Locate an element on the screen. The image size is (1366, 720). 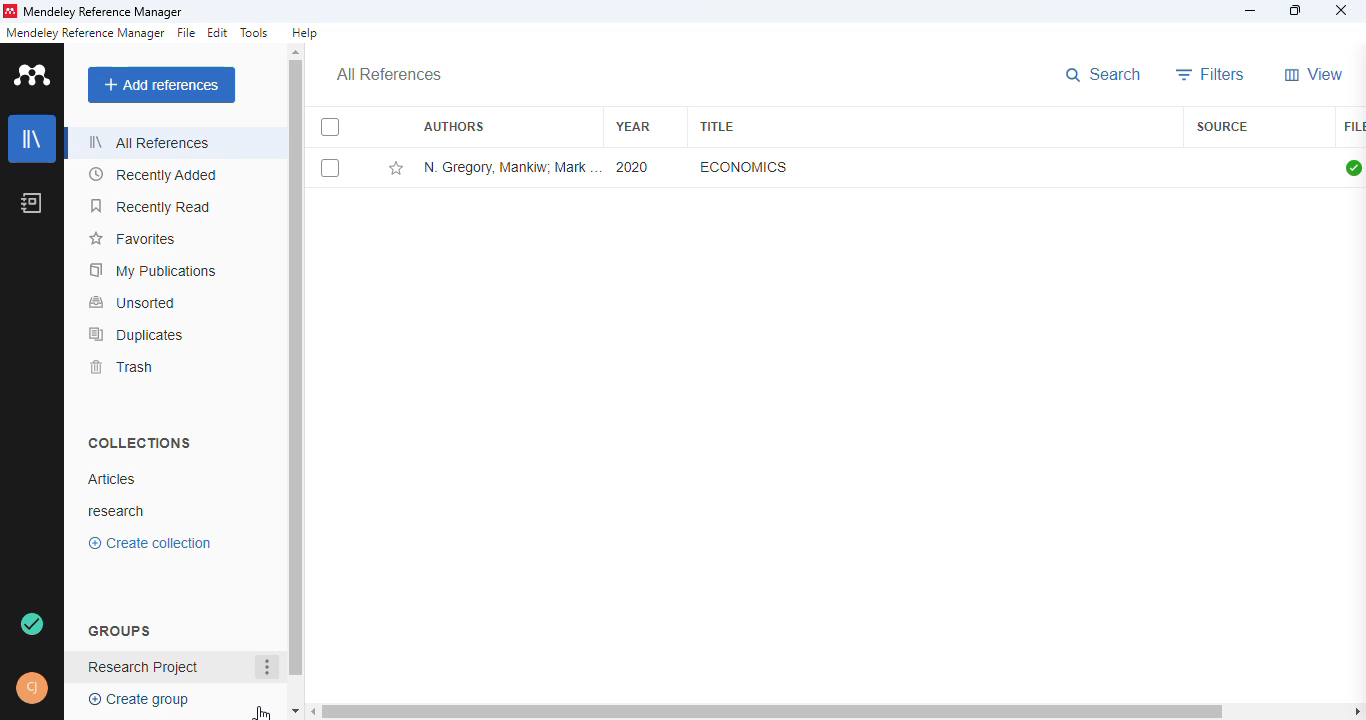
select is located at coordinates (330, 169).